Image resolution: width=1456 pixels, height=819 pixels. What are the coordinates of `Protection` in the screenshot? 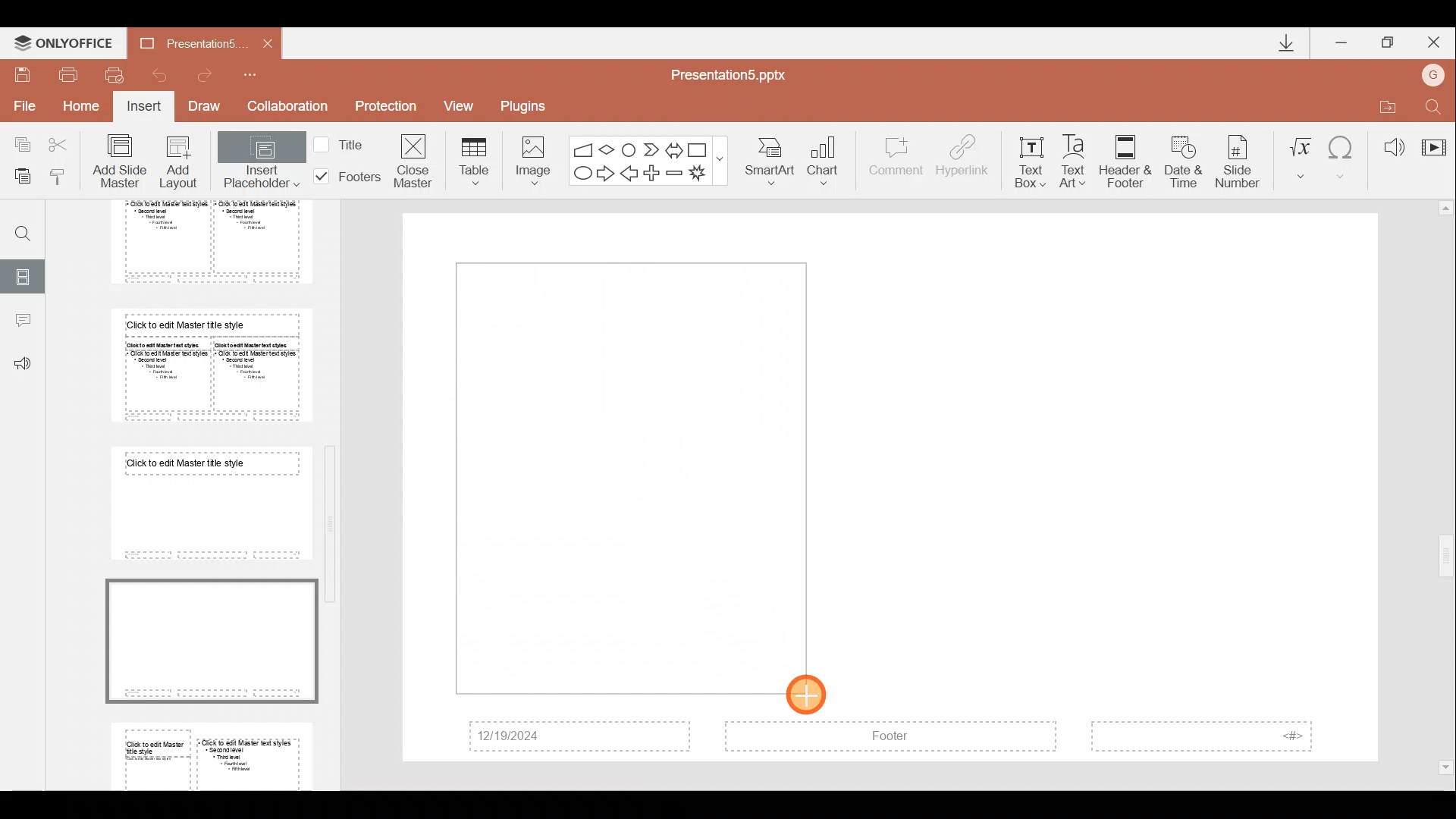 It's located at (385, 108).